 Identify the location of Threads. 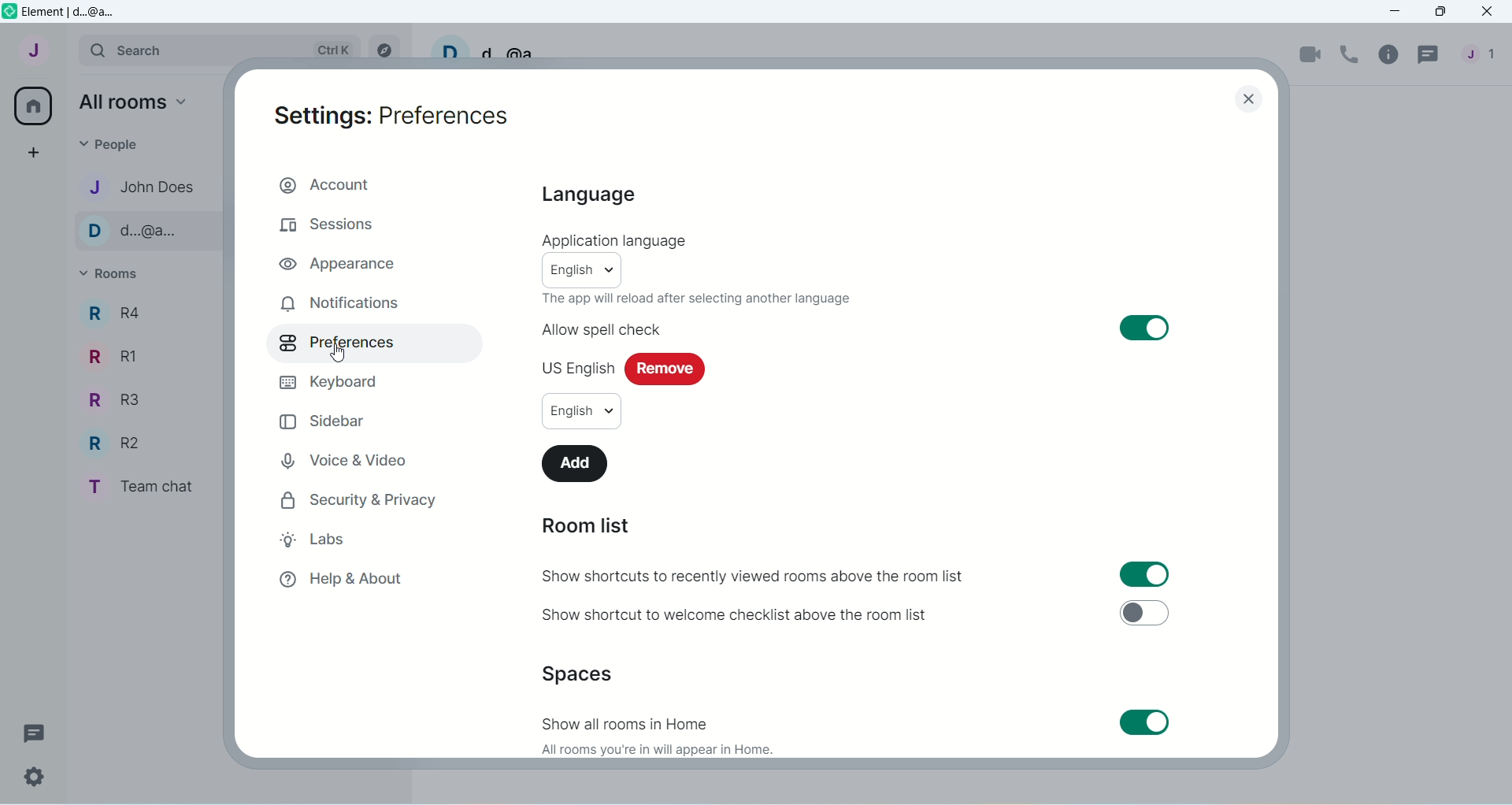
(1430, 57).